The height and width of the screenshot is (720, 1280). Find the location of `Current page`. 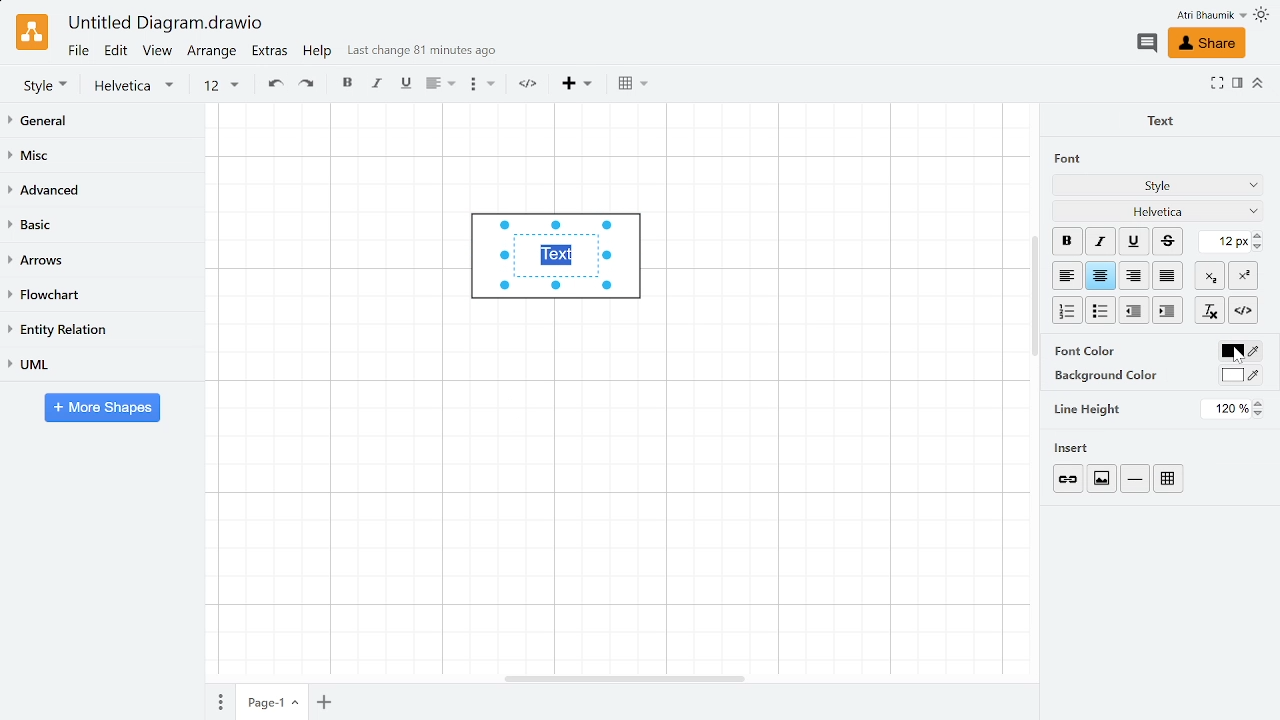

Current page is located at coordinates (273, 702).